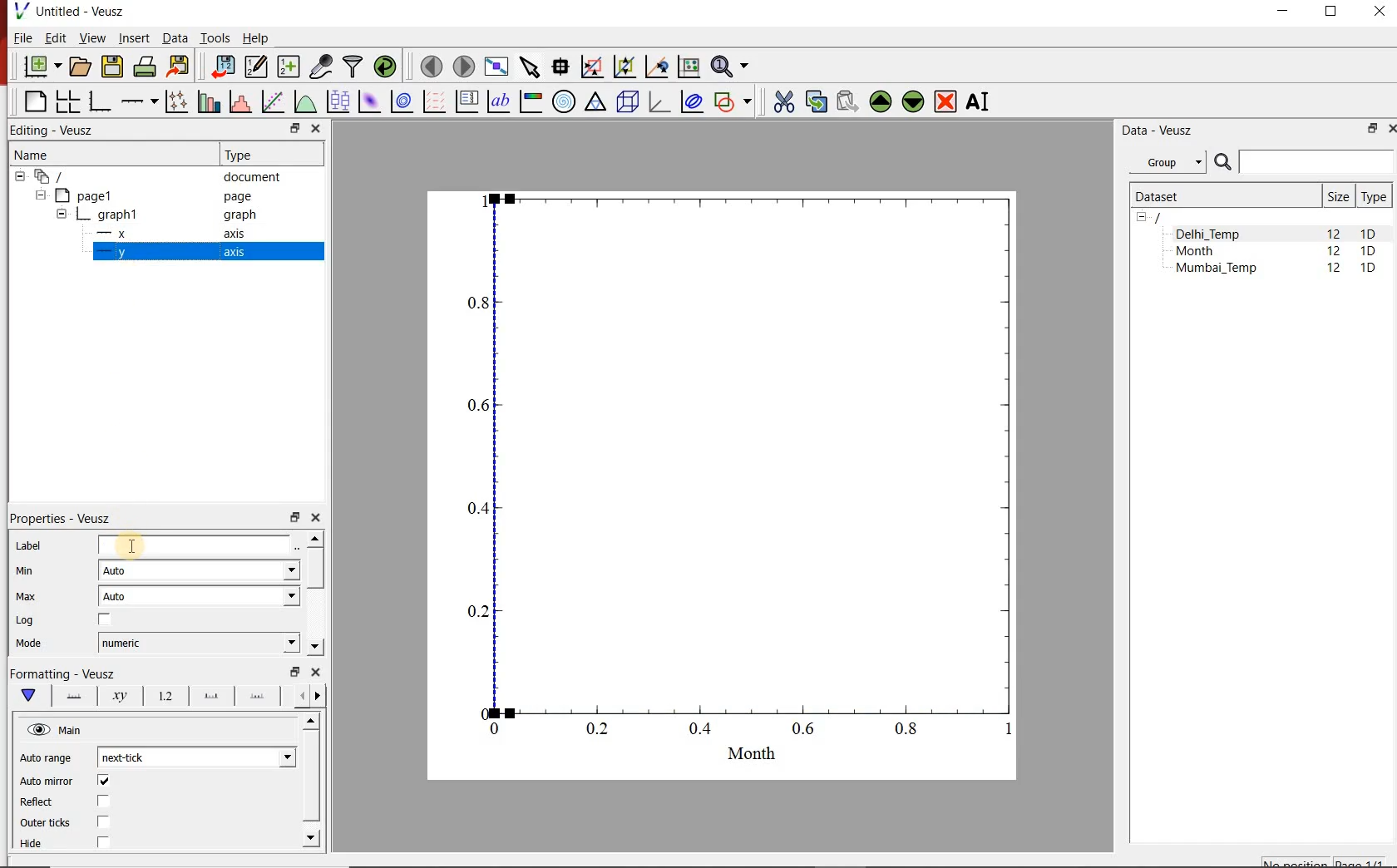 The width and height of the screenshot is (1397, 868). What do you see at coordinates (103, 781) in the screenshot?
I see `check/uncheck` at bounding box center [103, 781].